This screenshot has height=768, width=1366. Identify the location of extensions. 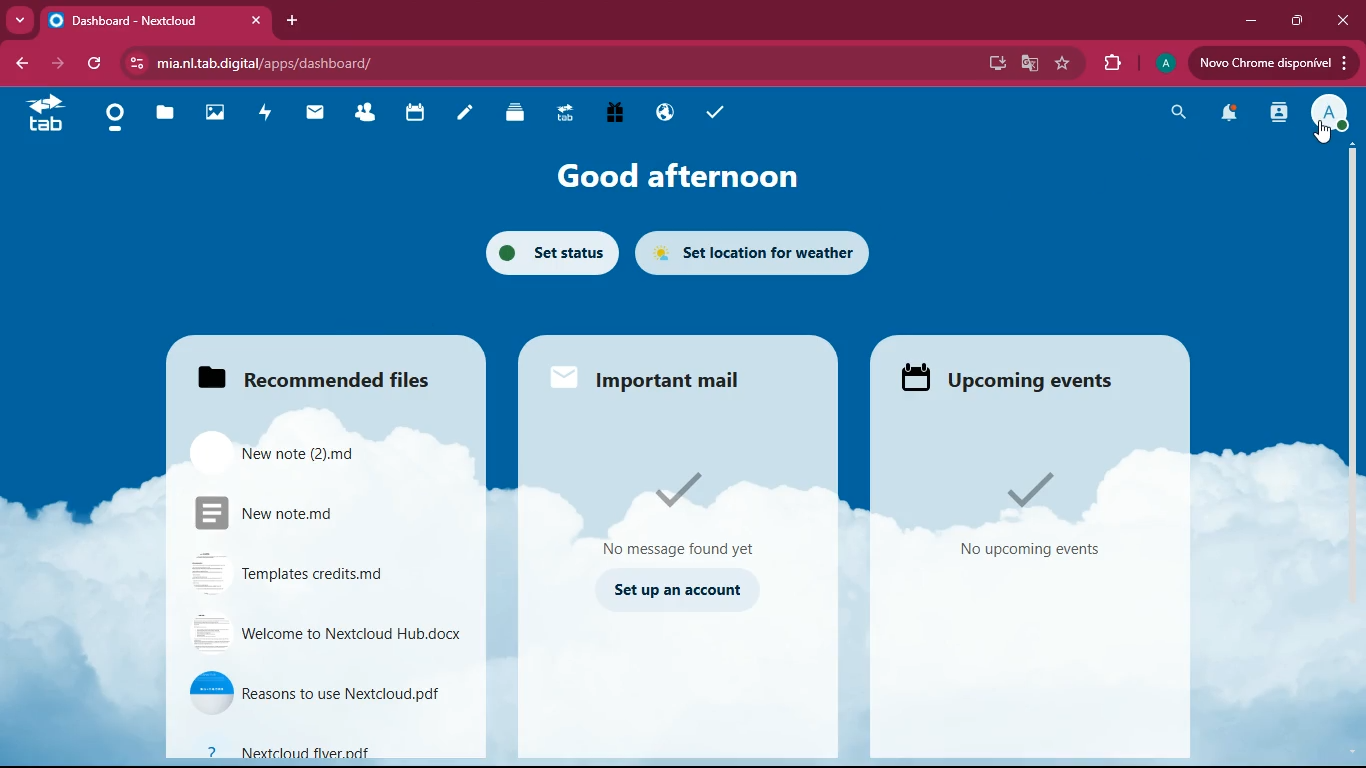
(1112, 64).